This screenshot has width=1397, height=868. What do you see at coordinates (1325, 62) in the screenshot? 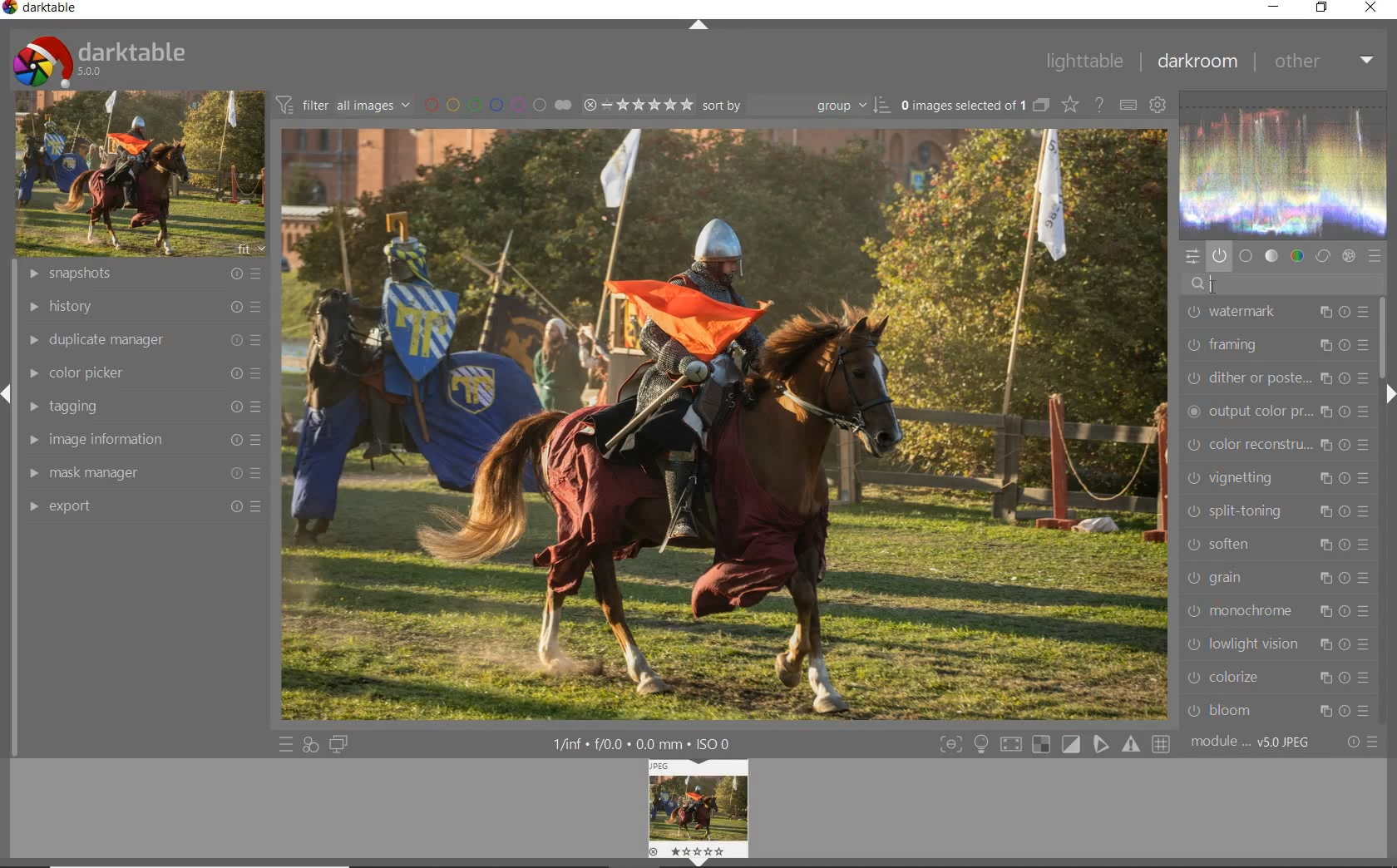
I see `other` at bounding box center [1325, 62].